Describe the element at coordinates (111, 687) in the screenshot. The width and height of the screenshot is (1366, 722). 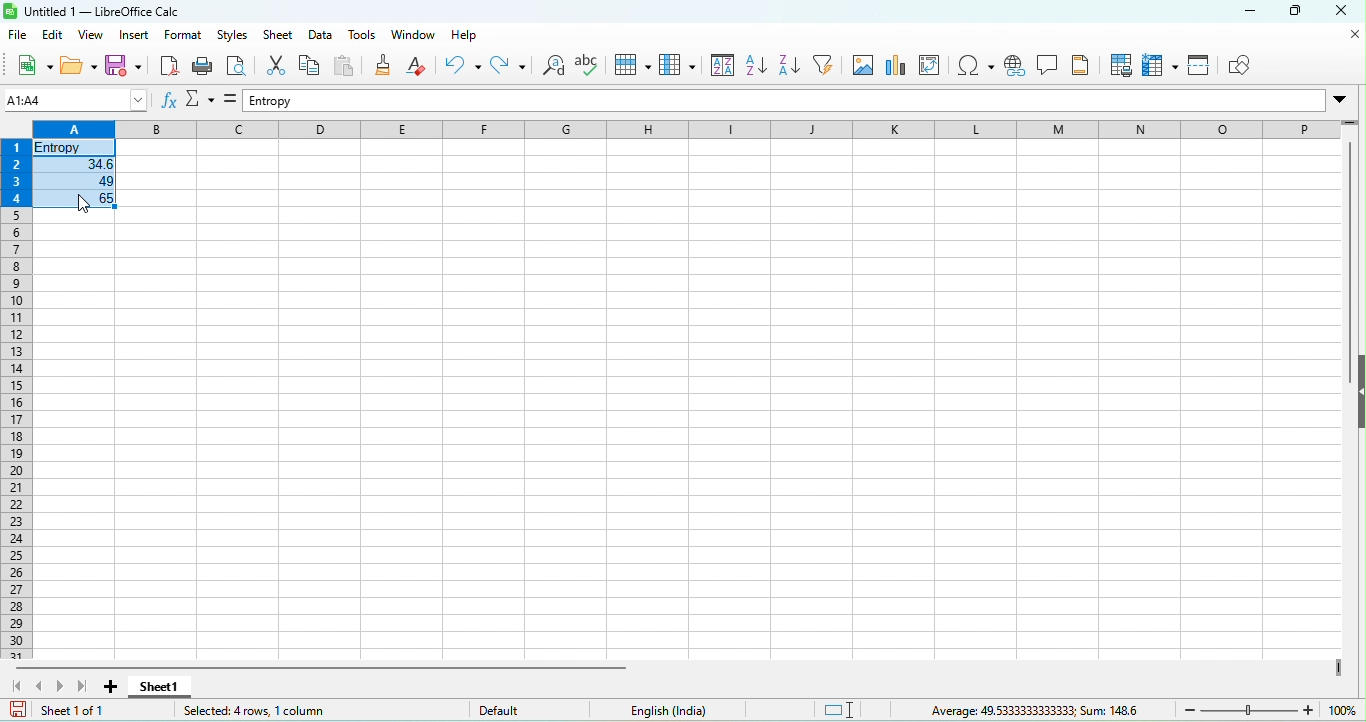
I see `add new sheet` at that location.